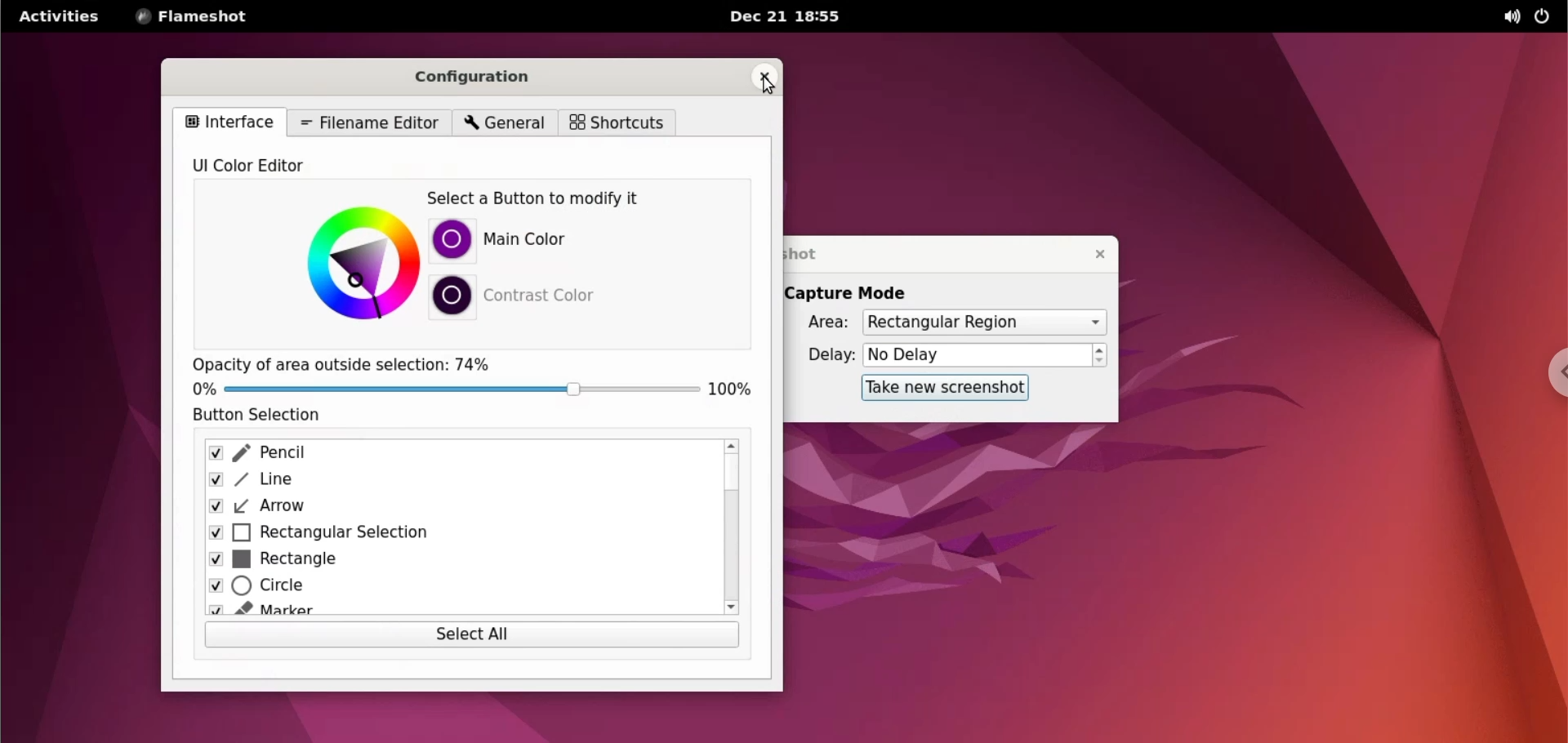 Image resolution: width=1568 pixels, height=743 pixels. Describe the element at coordinates (452, 481) in the screenshot. I see `line` at that location.